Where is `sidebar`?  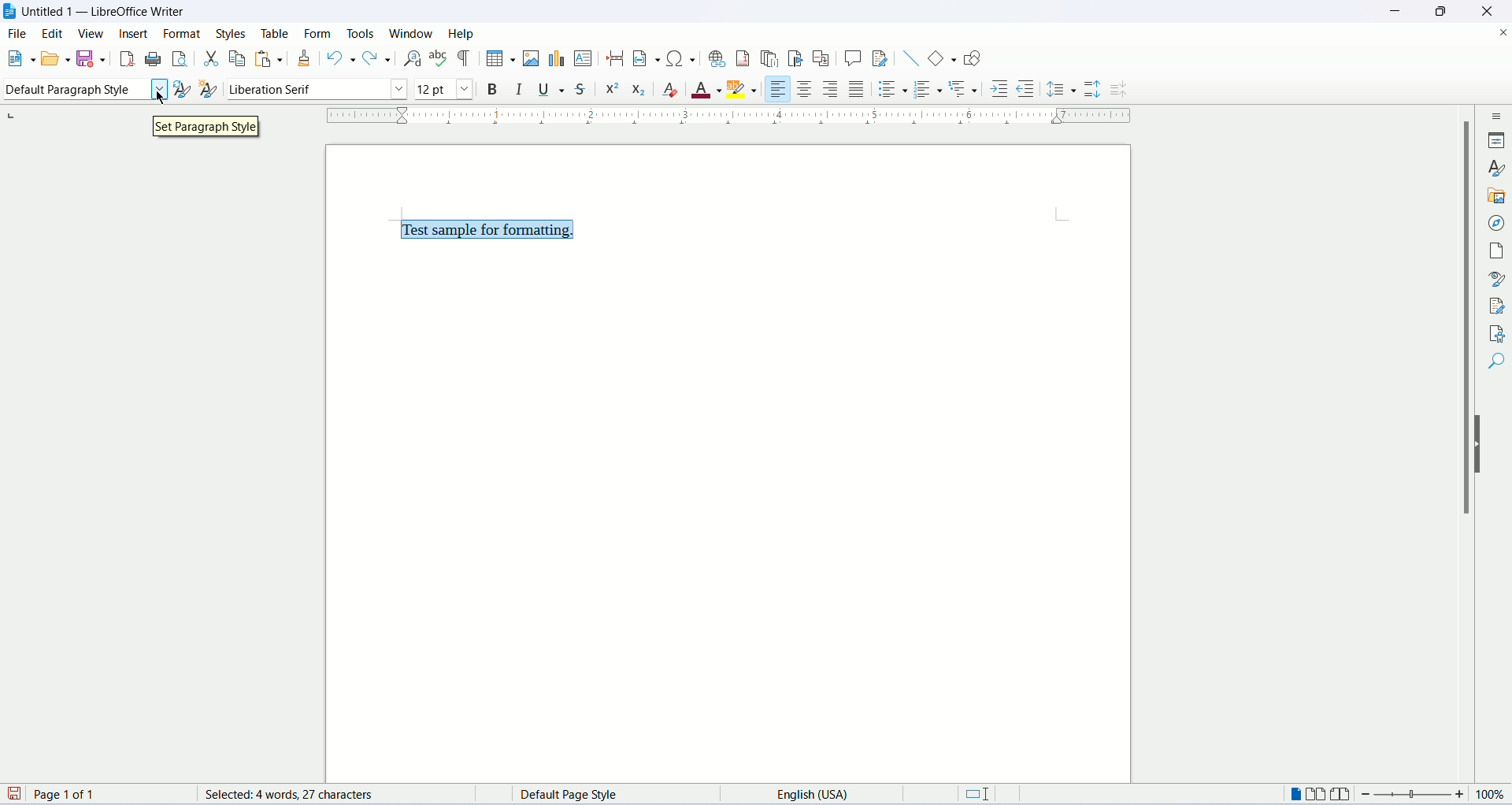 sidebar is located at coordinates (1497, 118).